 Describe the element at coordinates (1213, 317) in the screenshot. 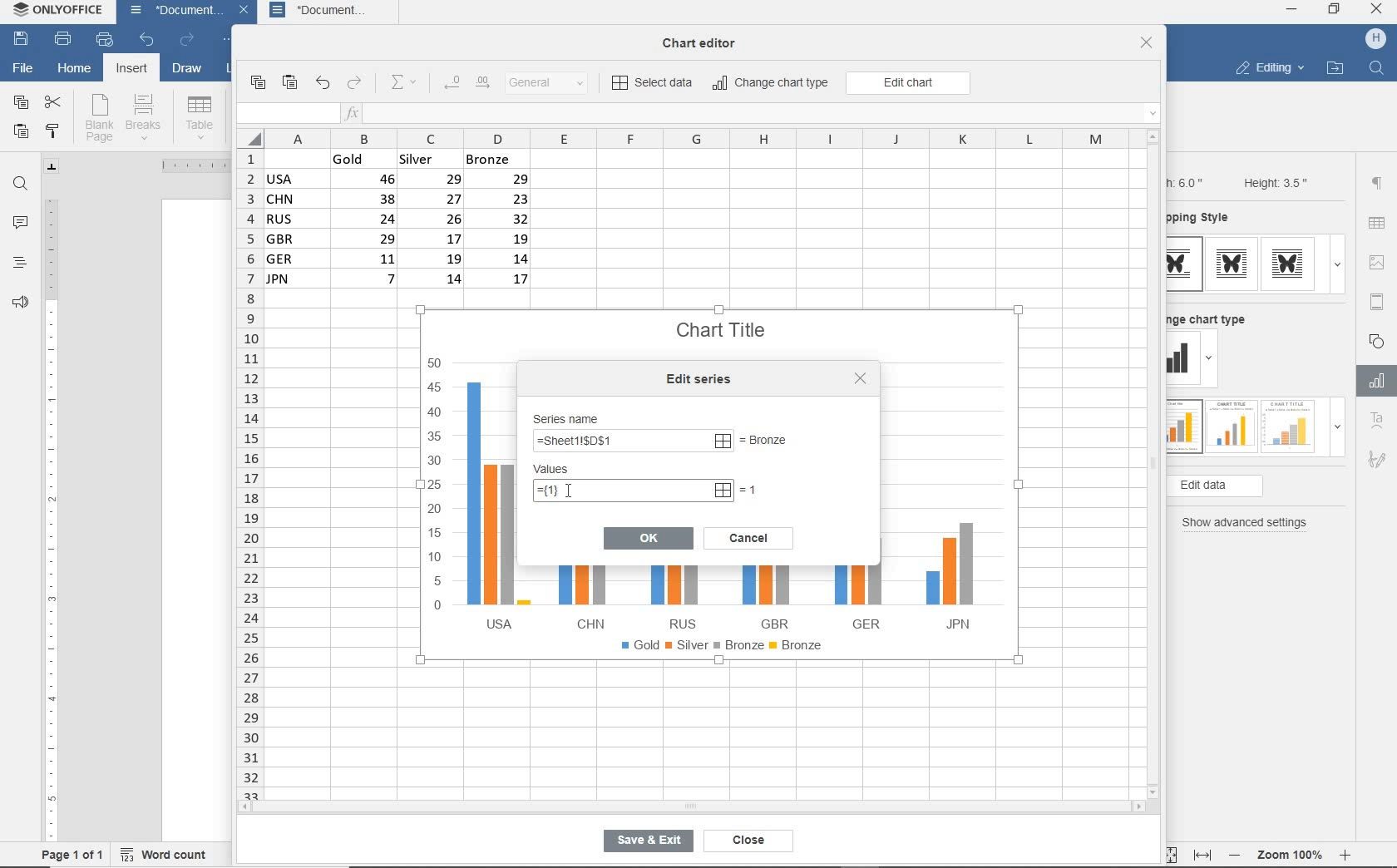

I see `change chart type` at that location.